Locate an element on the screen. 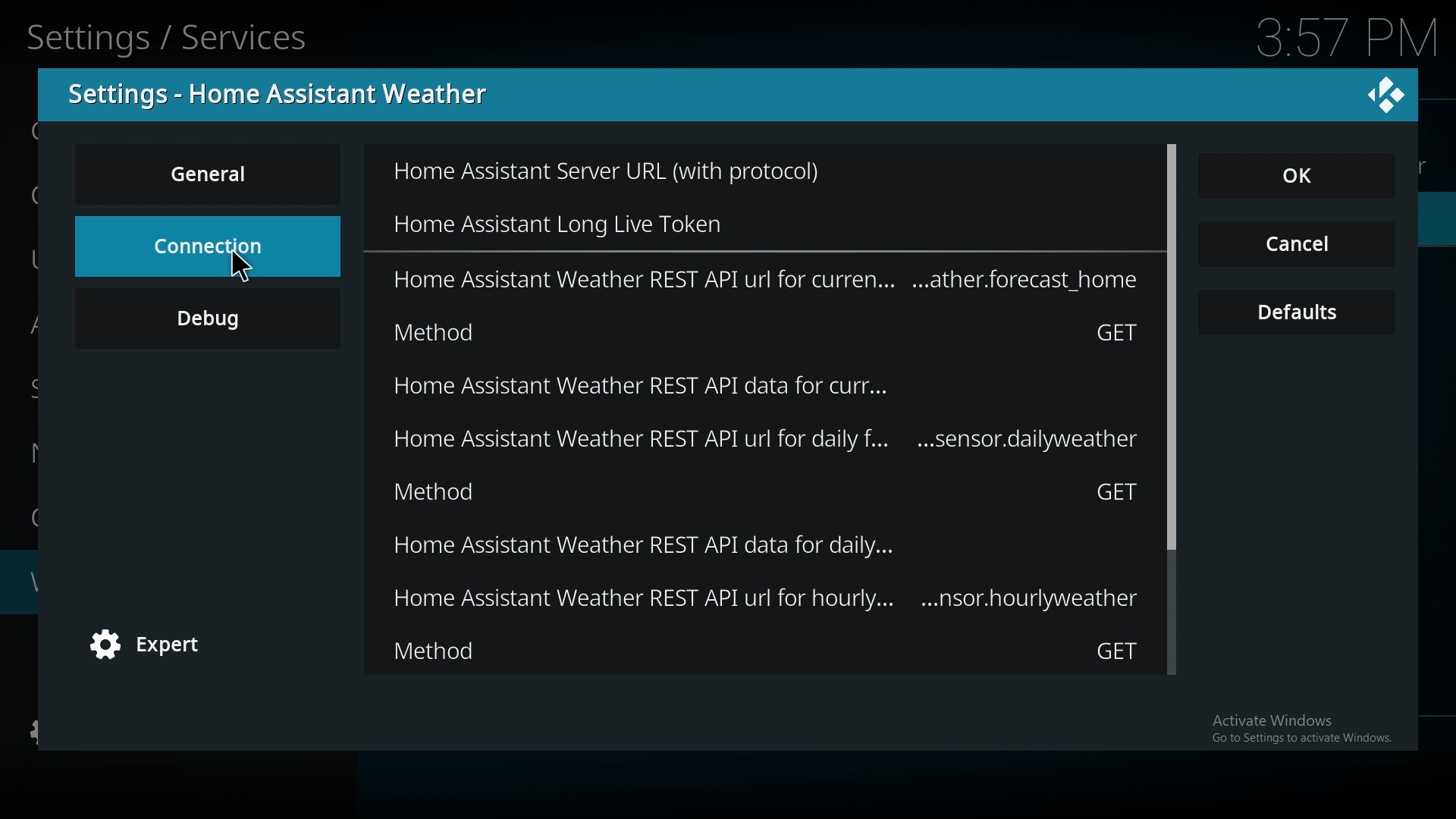 The image size is (1456, 819). scroll bar is located at coordinates (1172, 413).